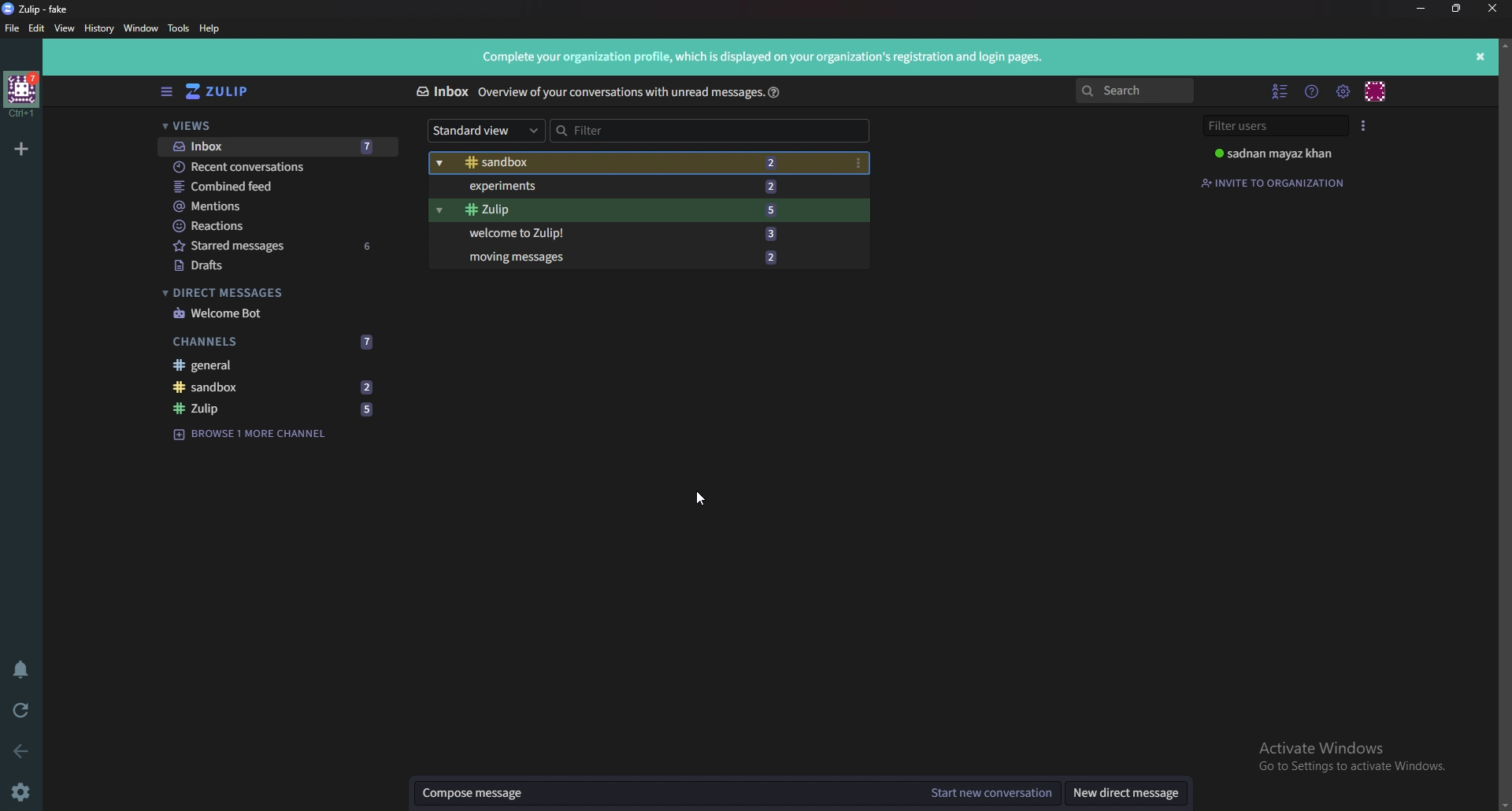  Describe the element at coordinates (230, 91) in the screenshot. I see `Home view` at that location.